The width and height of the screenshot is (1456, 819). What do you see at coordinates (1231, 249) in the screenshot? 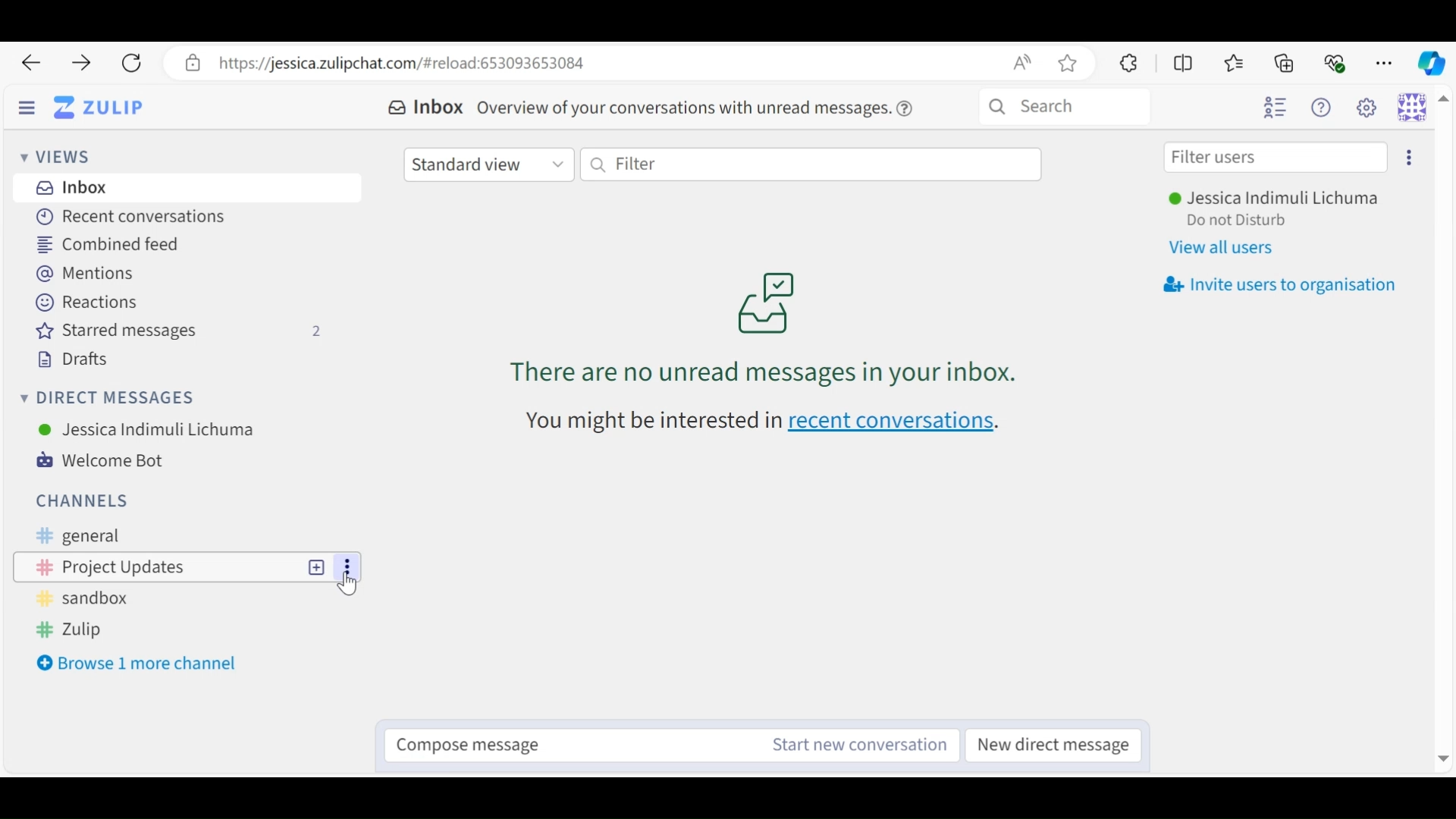
I see `View all users` at bounding box center [1231, 249].